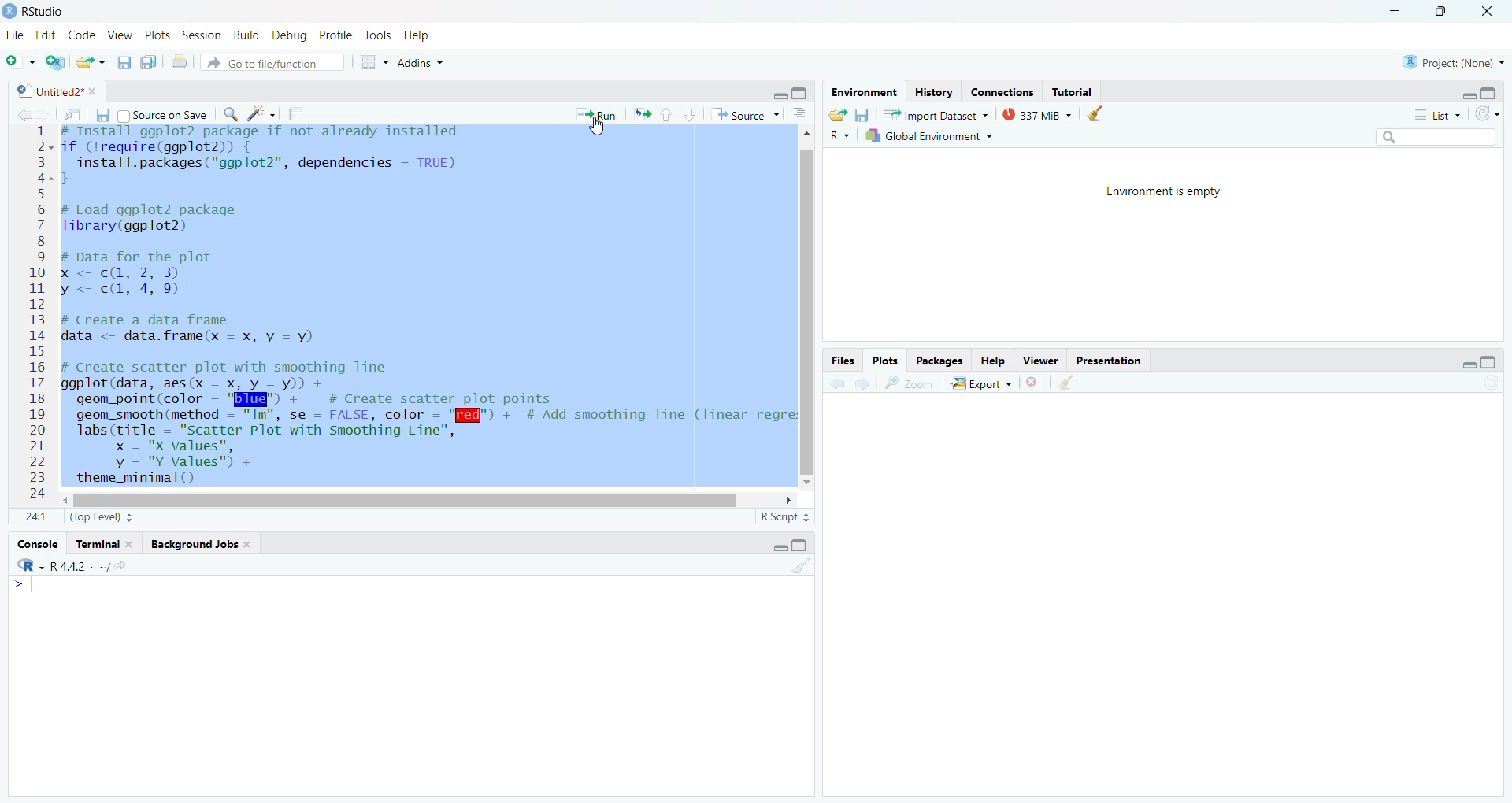 The image size is (1512, 803). What do you see at coordinates (424, 306) in the screenshot?
I see `install ggp to 2 package if not already installed if Crequire(ggplot2)install.packages ("ggplot2", dependencies = TRUE)}# Load ggplot2 packageTibrary(ggplot2) 1# Data for the plotx <- c@, 2, 3)y <= c@, 4, 9)# Create a data framedata <- data.frame(x = x, y = y)# Create scatter plot with smoothing lineggplot(data, aes(x = x, y = y)) +geom_point(color - "BIE" + # Create scatter plot pointsgeom_smooth (method = "Im", se = FALSE, color = "[Q@l") + # Add smoothing line (linear regrelabs (title = "Scatter Plot with Smoothing Line",x = "X values",y = "Y values") +theme_minimal()` at bounding box center [424, 306].